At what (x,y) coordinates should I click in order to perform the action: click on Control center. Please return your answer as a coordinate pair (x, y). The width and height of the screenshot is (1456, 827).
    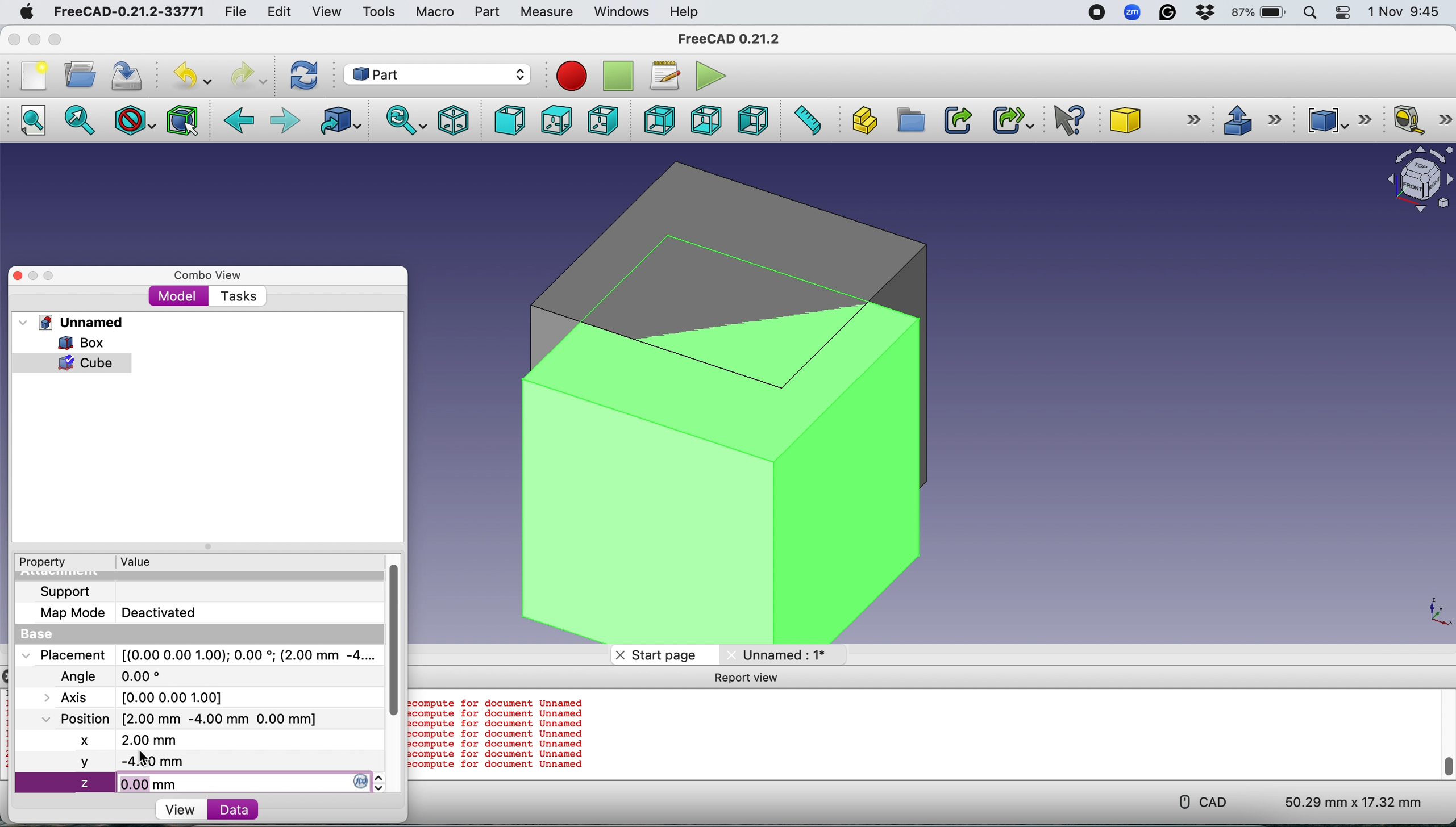
    Looking at the image, I should click on (1345, 13).